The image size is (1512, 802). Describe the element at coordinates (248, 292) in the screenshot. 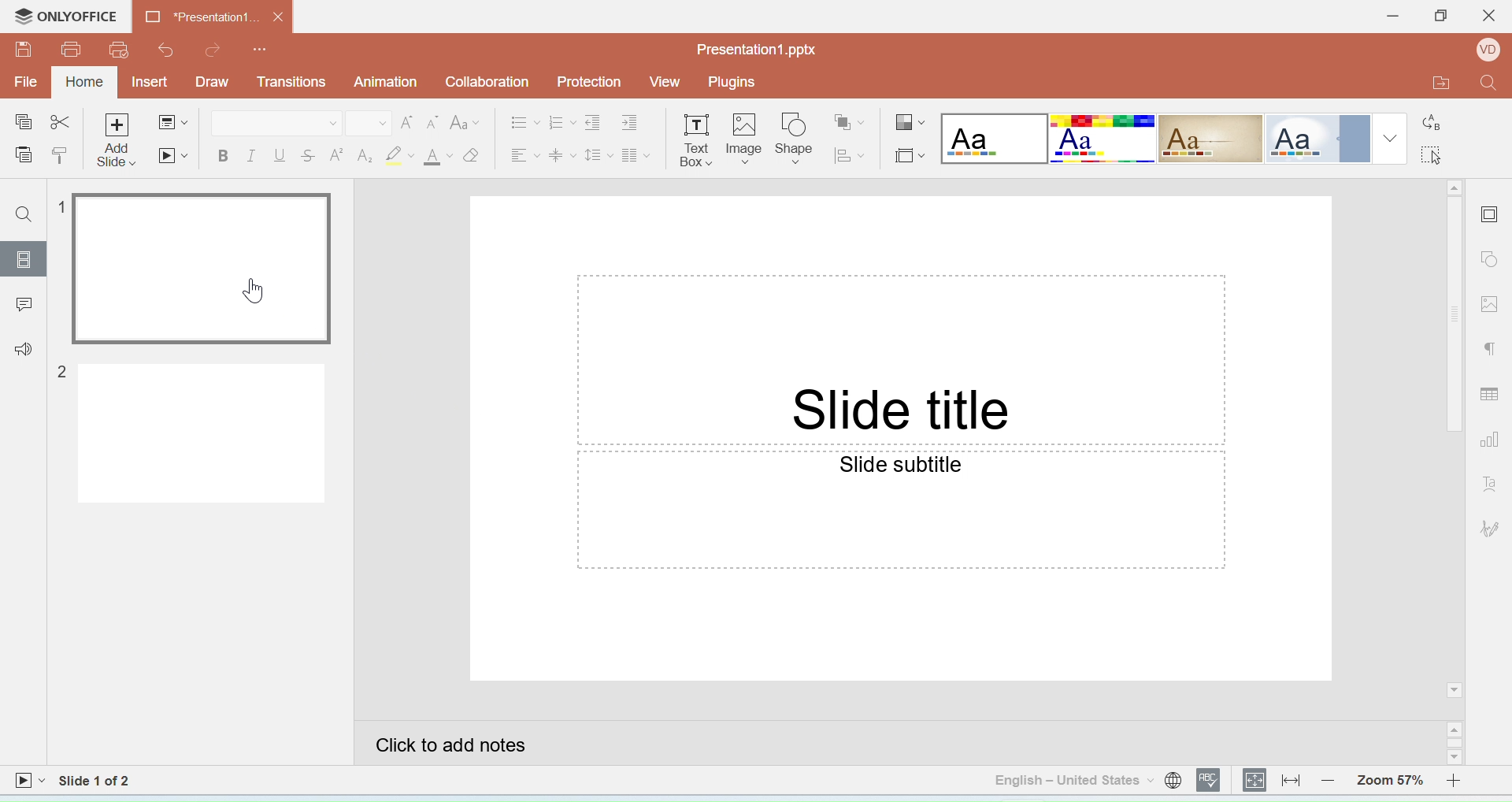

I see `cursor` at that location.